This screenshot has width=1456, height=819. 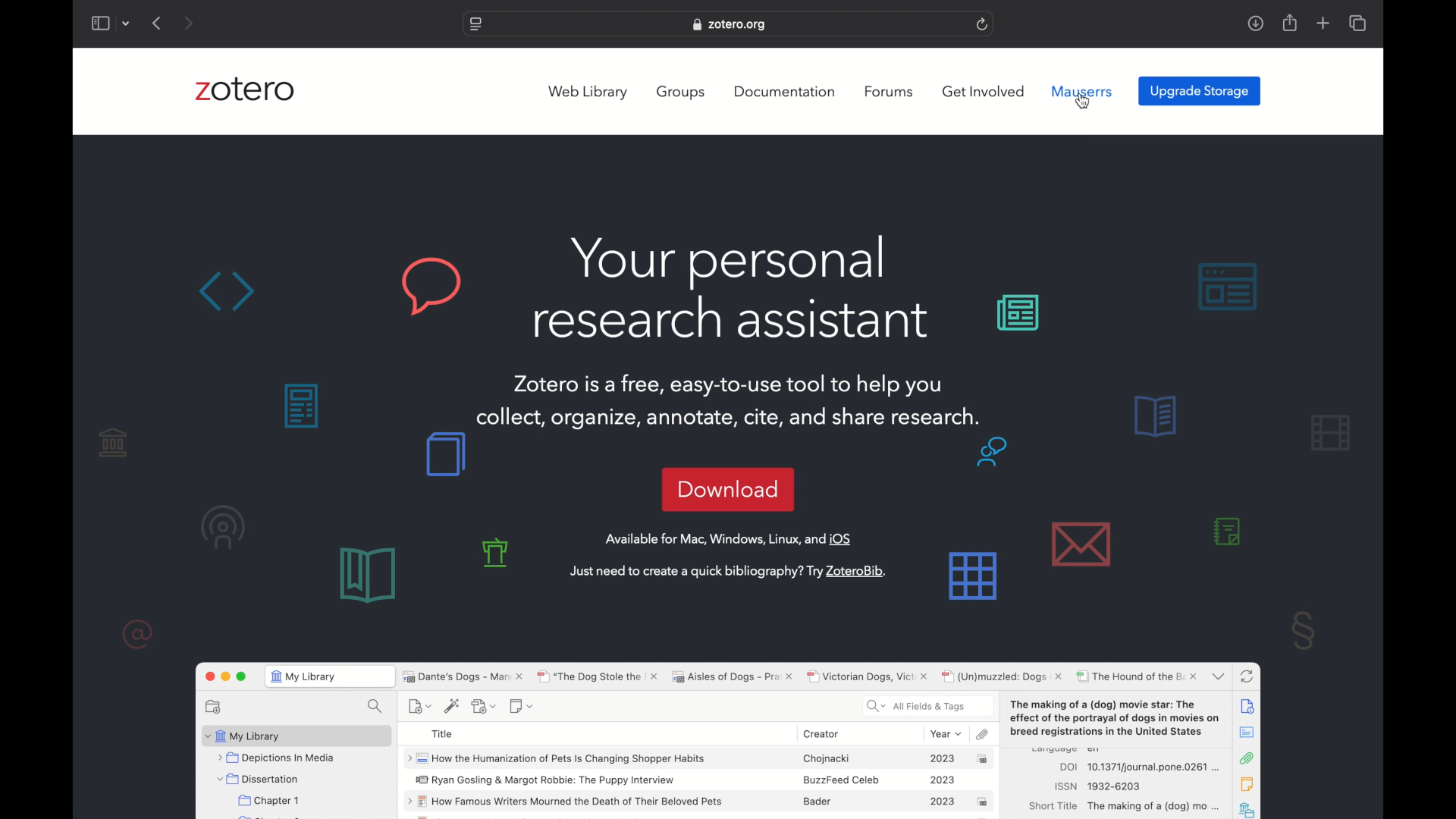 I want to click on Available for mac, windows, linux and OS, so click(x=731, y=539).